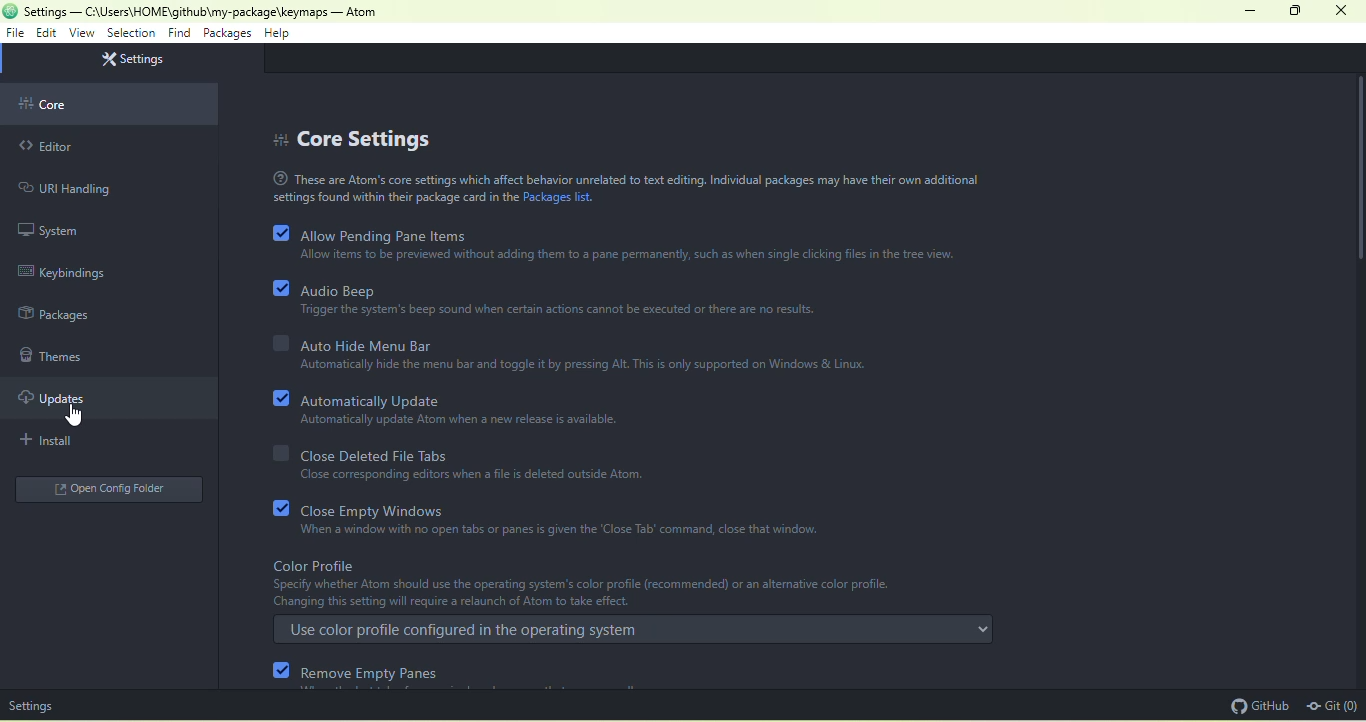 The image size is (1366, 722). Describe the element at coordinates (475, 477) in the screenshot. I see `text on close deleted file tabs` at that location.